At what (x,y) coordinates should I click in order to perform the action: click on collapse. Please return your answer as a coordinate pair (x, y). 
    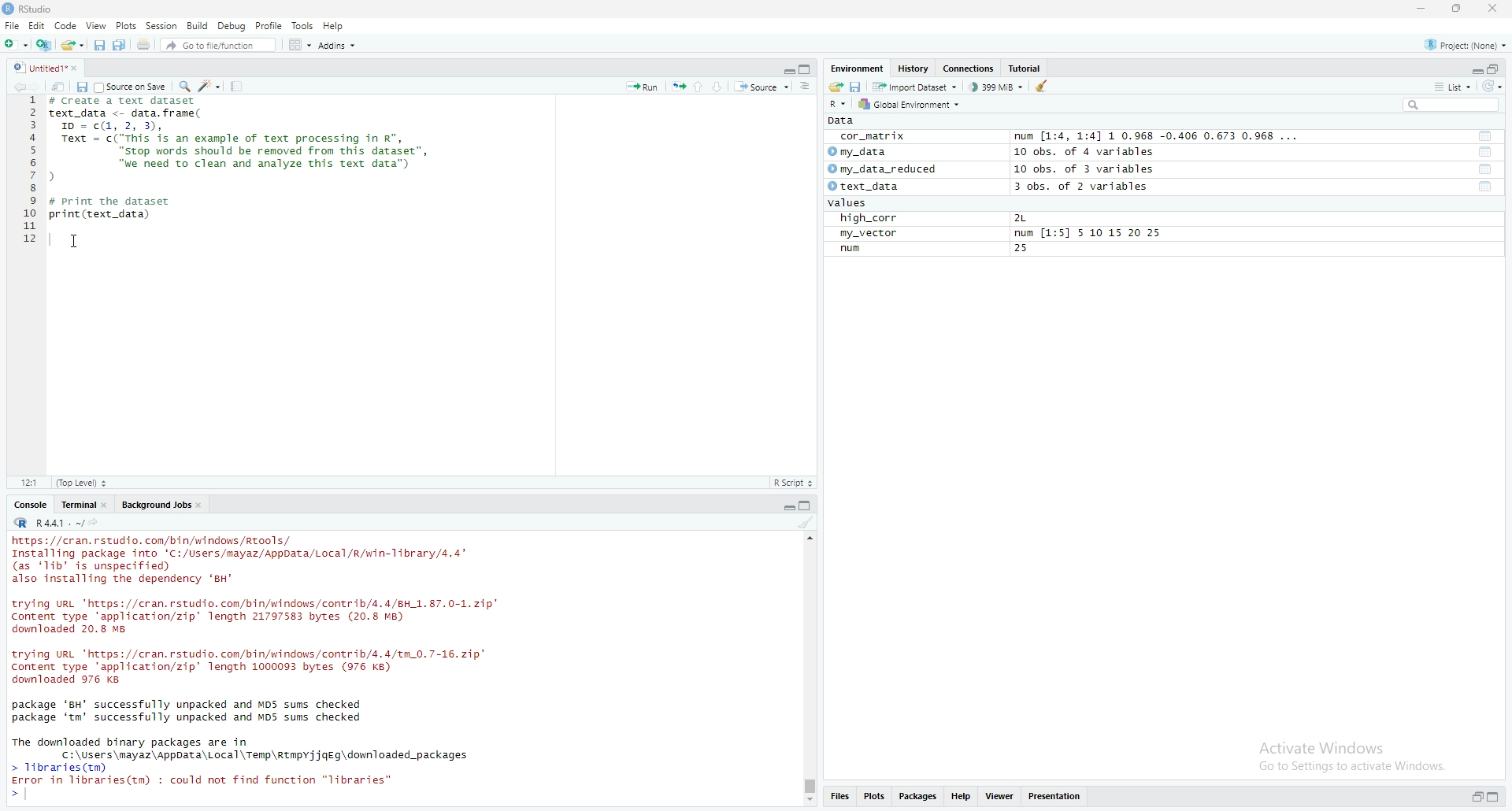
    Looking at the image, I should click on (1497, 69).